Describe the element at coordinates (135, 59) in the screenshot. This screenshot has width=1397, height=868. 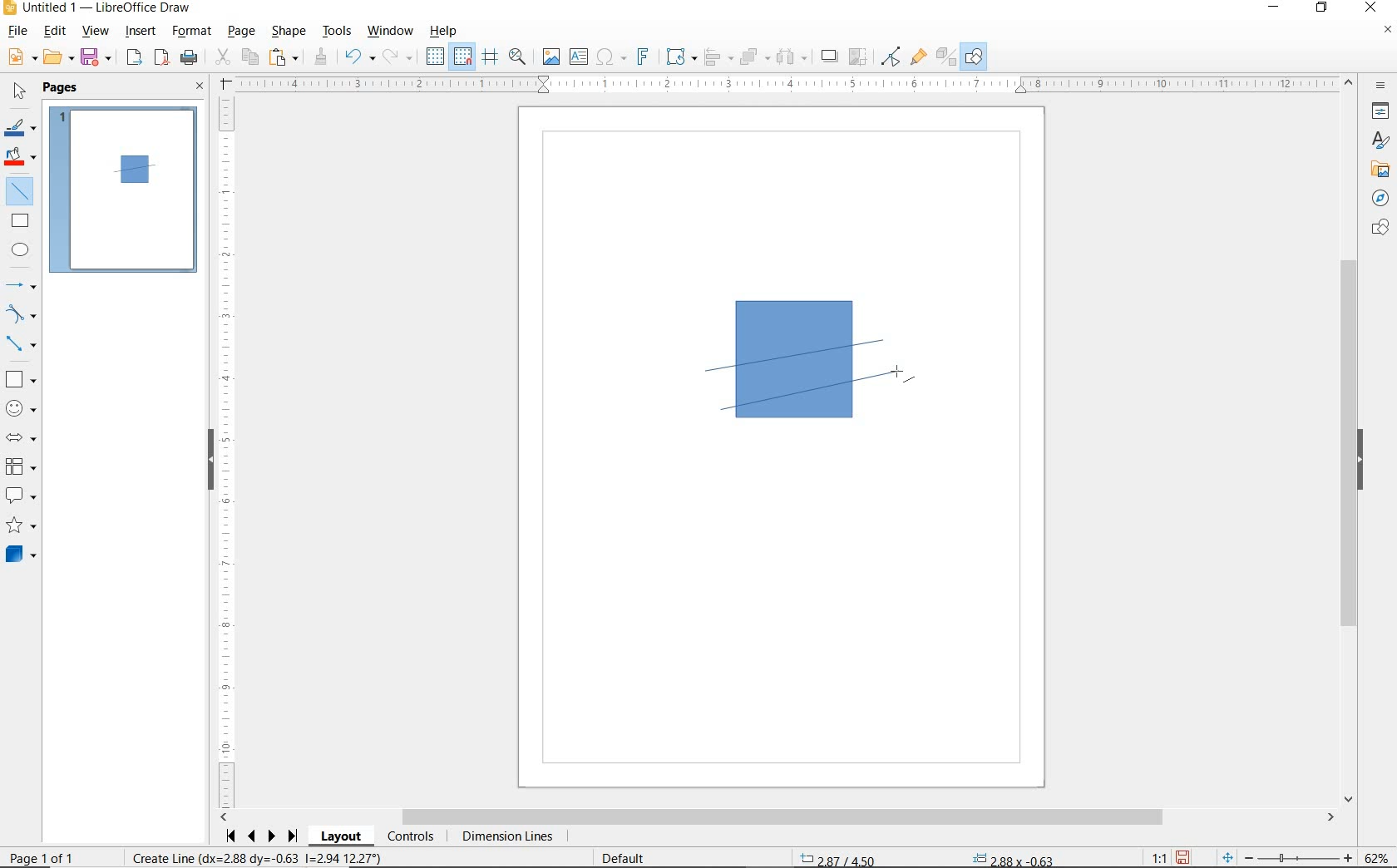
I see `EXPORT` at that location.